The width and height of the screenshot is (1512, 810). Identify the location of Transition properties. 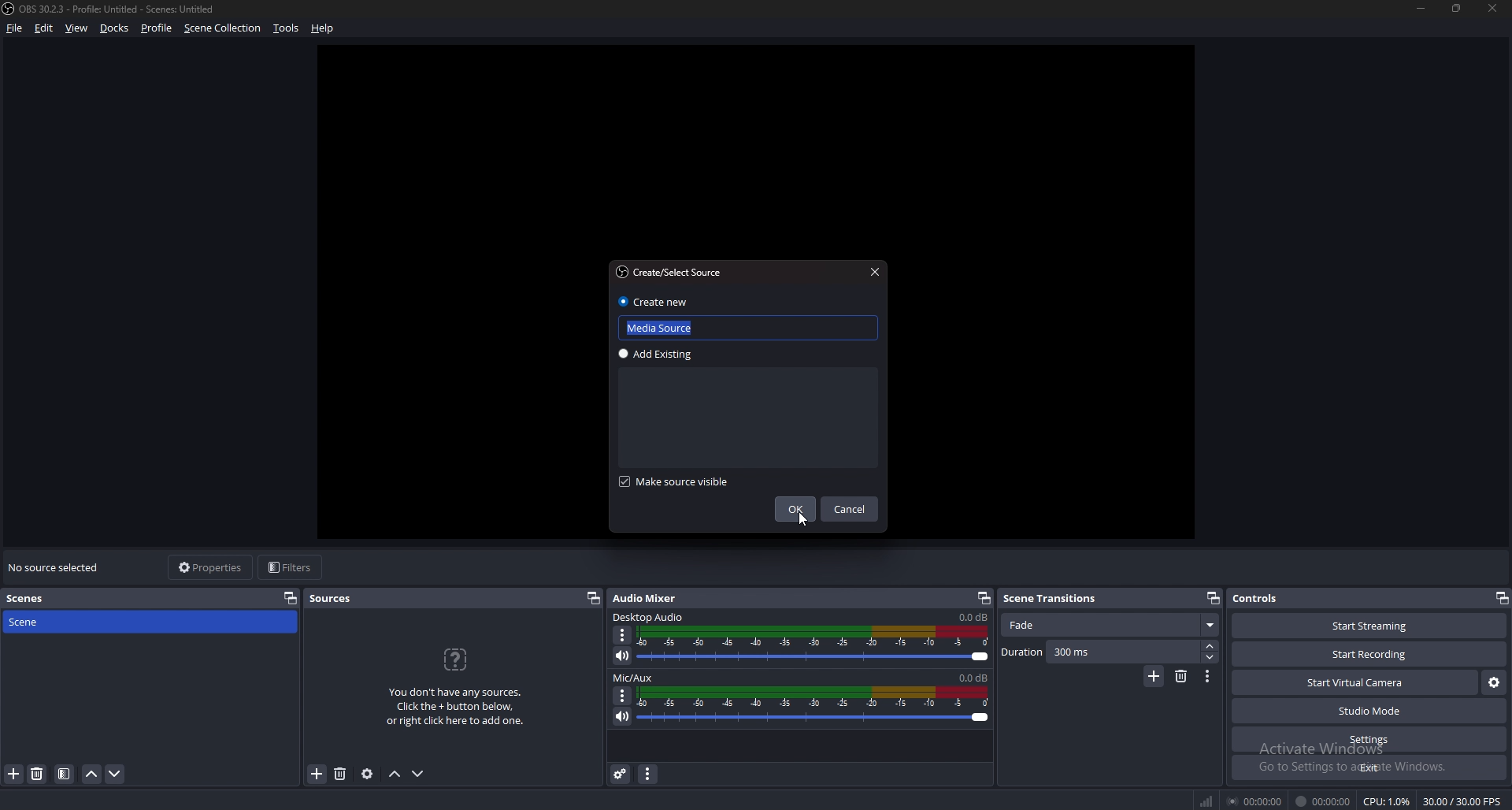
(1207, 677).